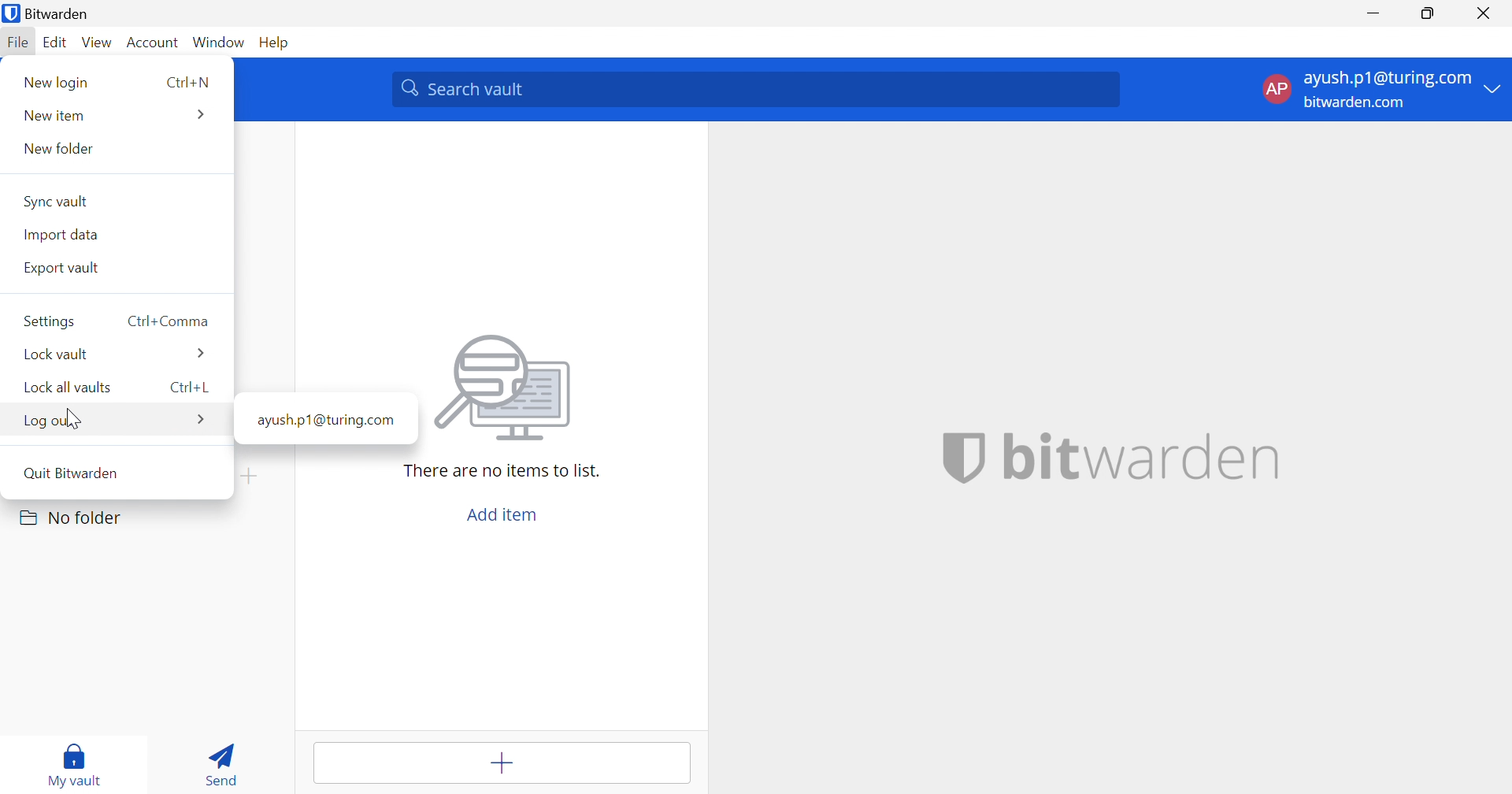  Describe the element at coordinates (220, 762) in the screenshot. I see `Send` at that location.